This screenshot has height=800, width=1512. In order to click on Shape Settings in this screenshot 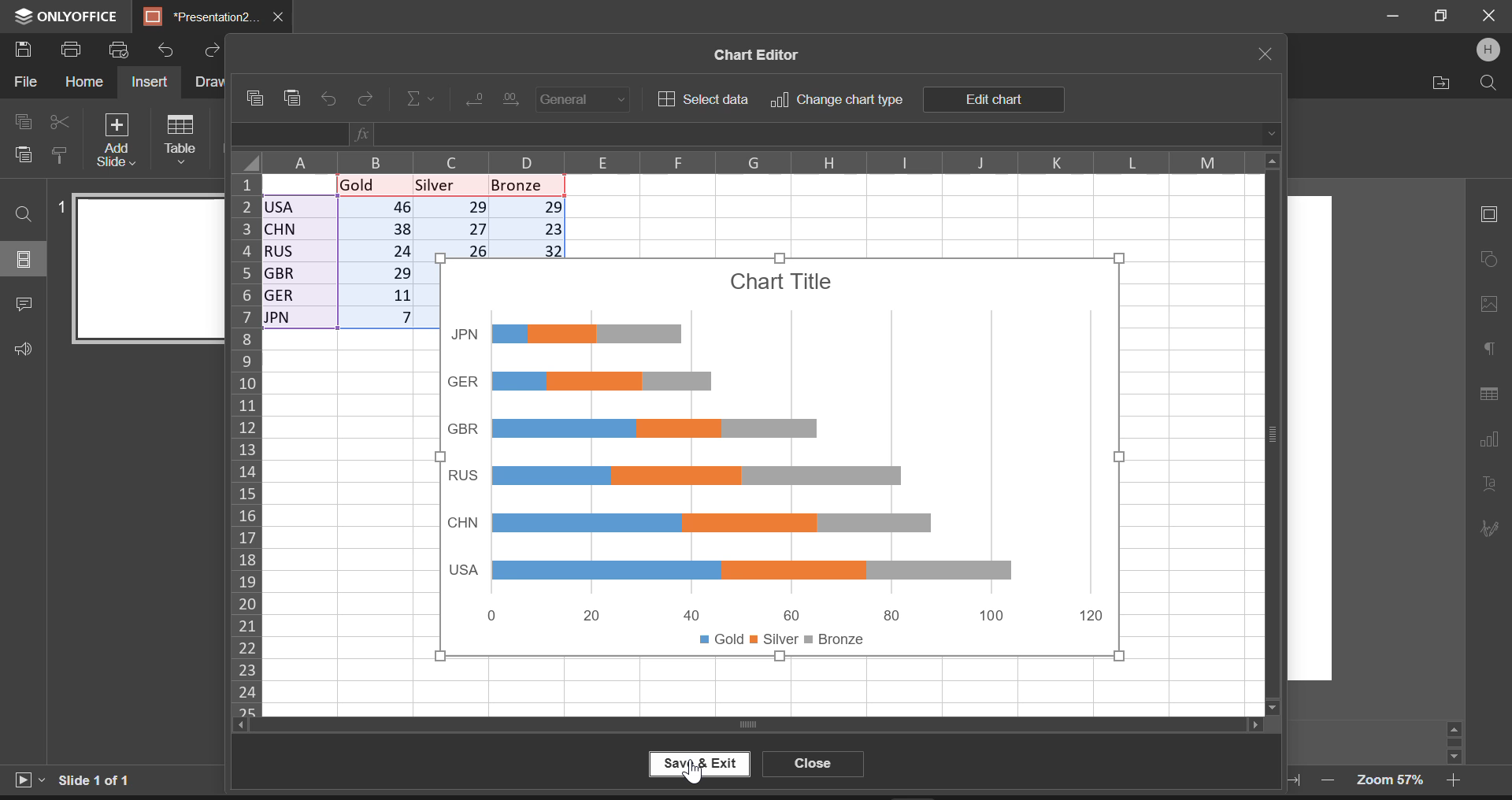, I will do `click(1488, 257)`.